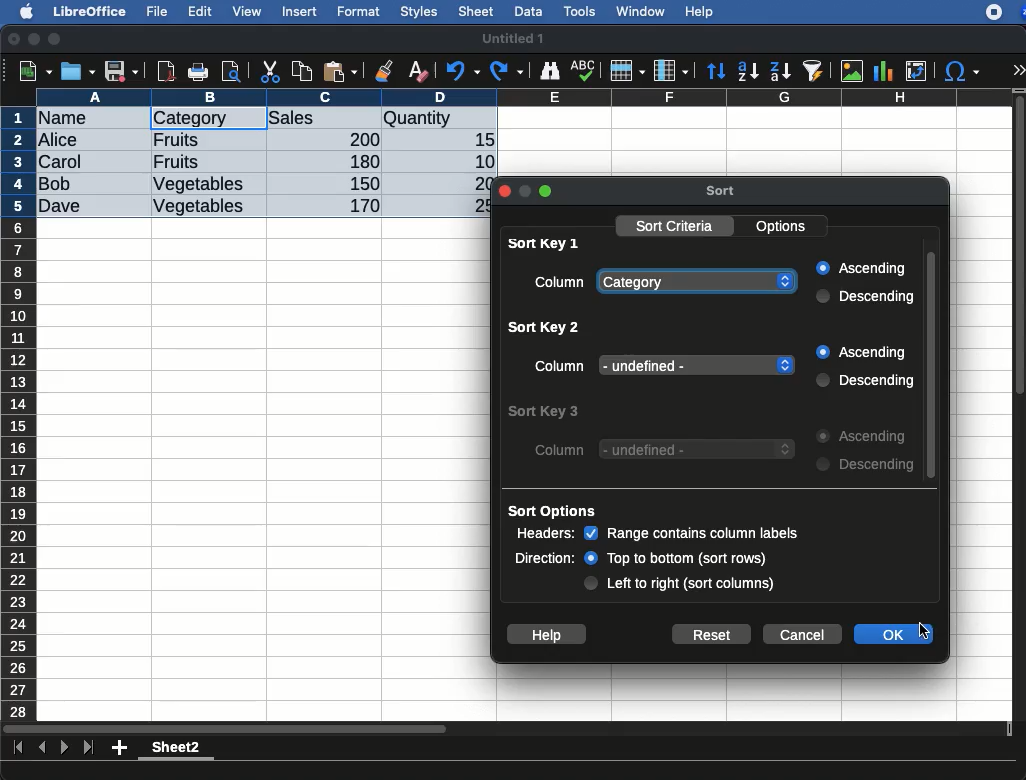 The width and height of the screenshot is (1026, 780). I want to click on pdf preview, so click(167, 71).